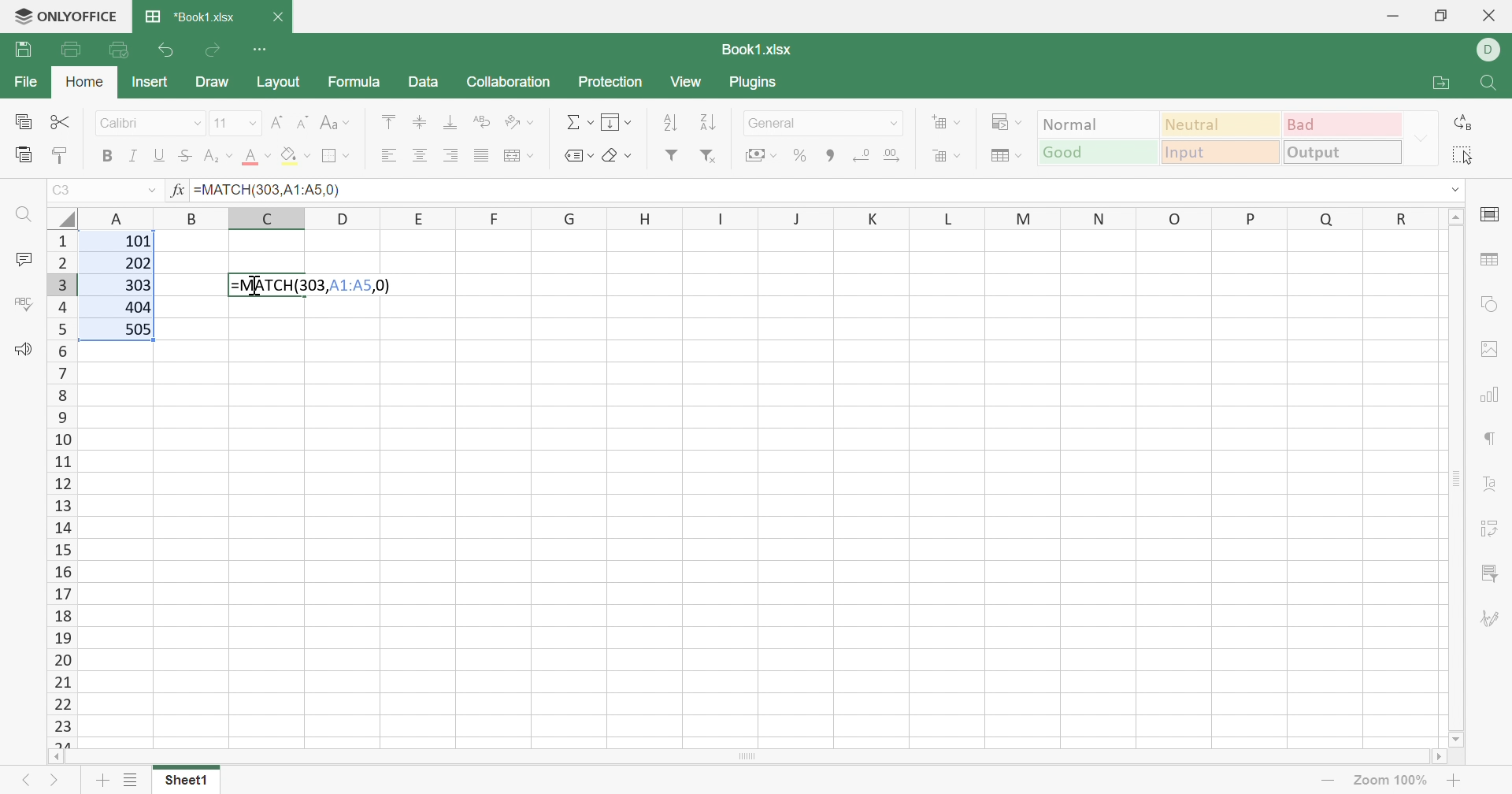  I want to click on Bad, so click(1343, 124).